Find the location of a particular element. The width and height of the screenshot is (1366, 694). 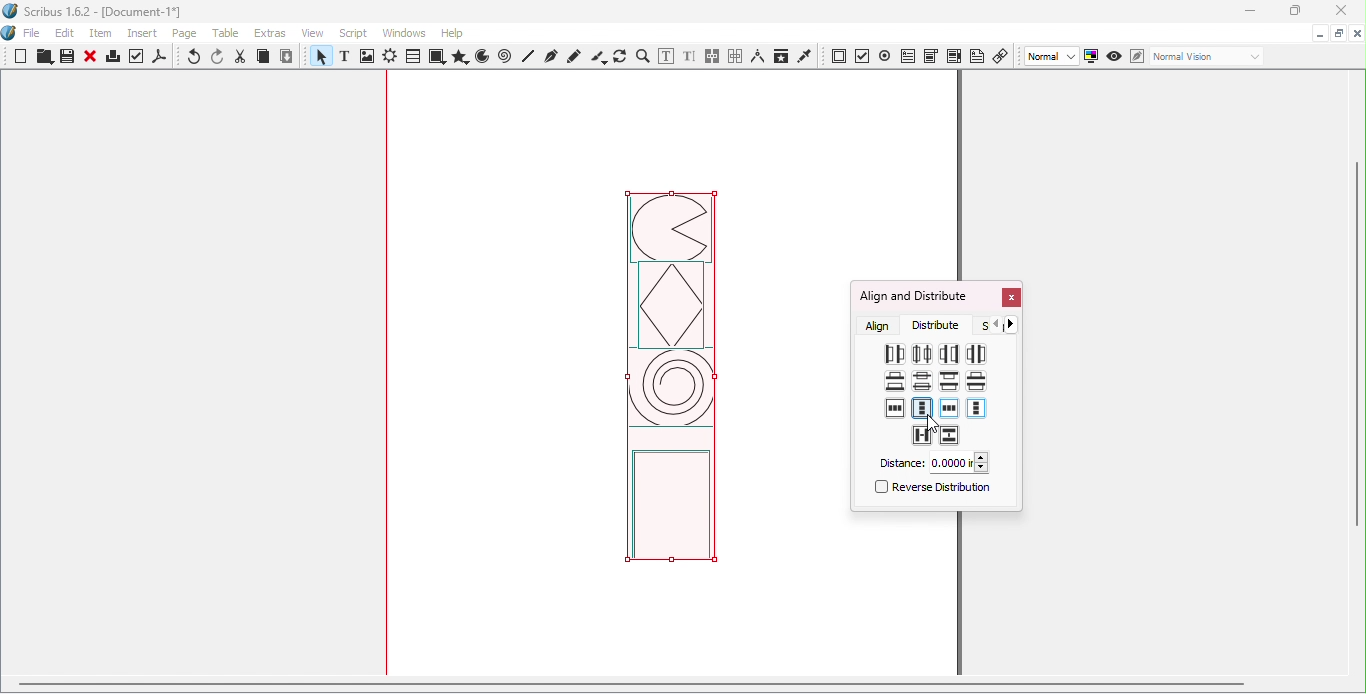

scroll bar is located at coordinates (631, 683).